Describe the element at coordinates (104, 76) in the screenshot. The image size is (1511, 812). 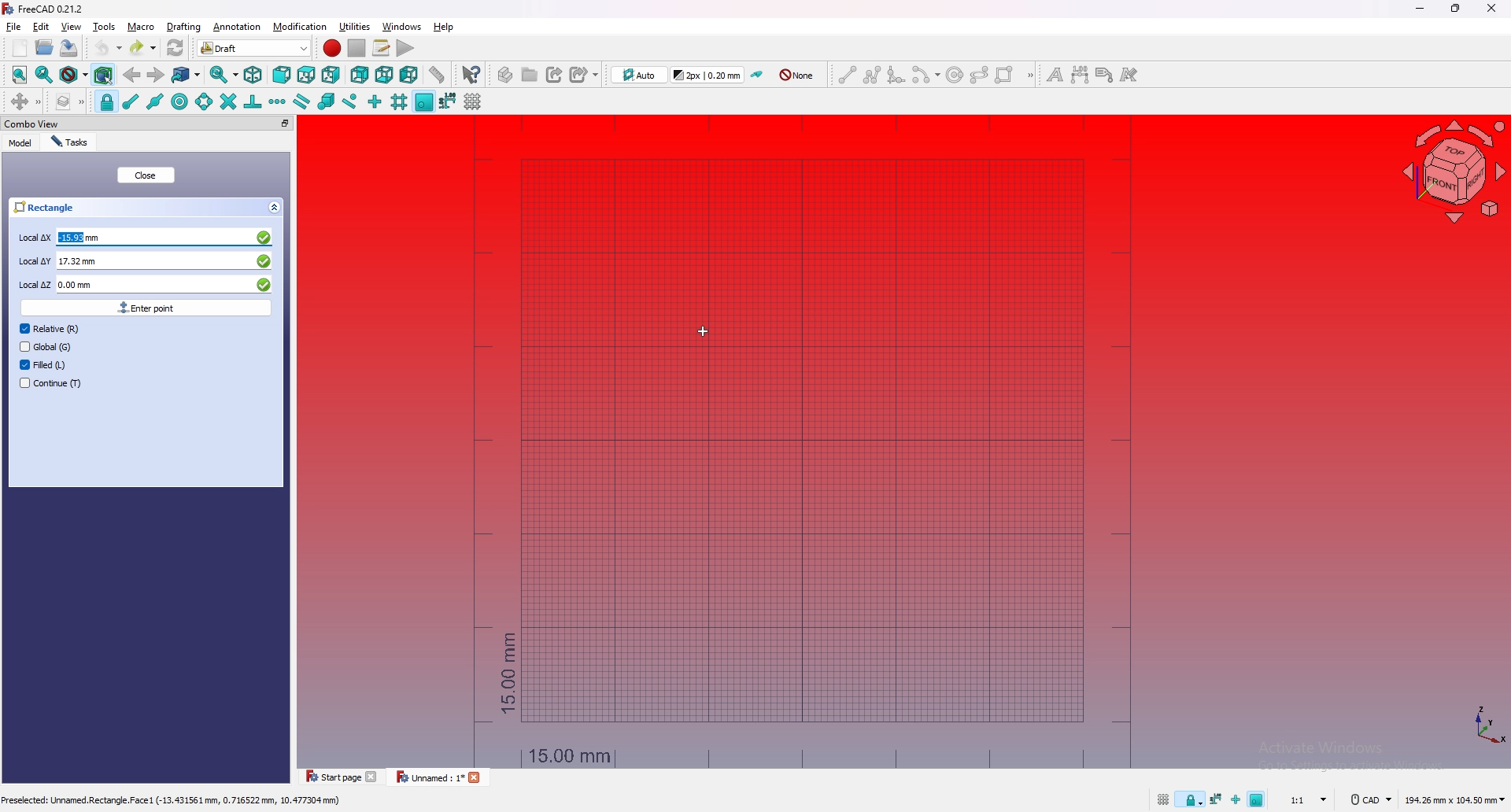
I see `bounding box` at that location.